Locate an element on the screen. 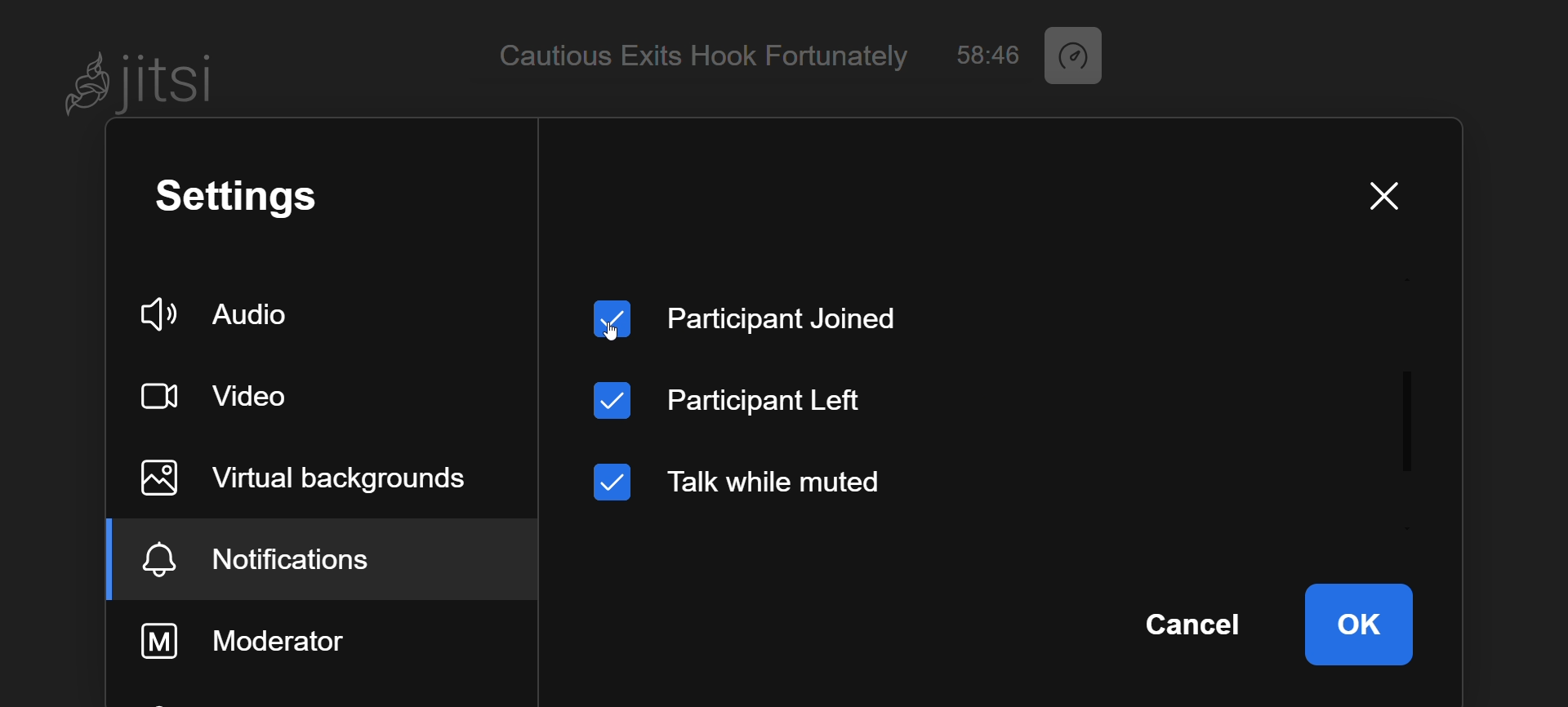 Image resolution: width=1568 pixels, height=707 pixels. scroll bar is located at coordinates (1408, 379).